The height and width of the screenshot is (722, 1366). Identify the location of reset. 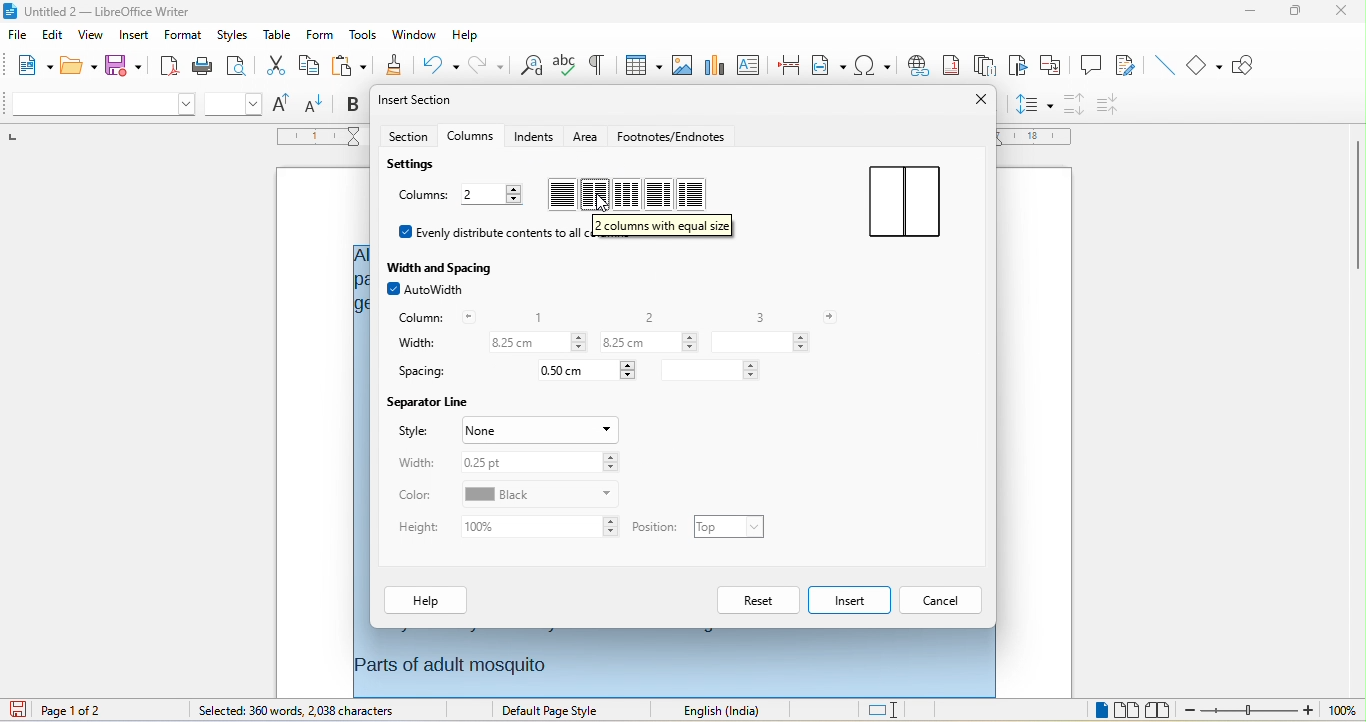
(760, 601).